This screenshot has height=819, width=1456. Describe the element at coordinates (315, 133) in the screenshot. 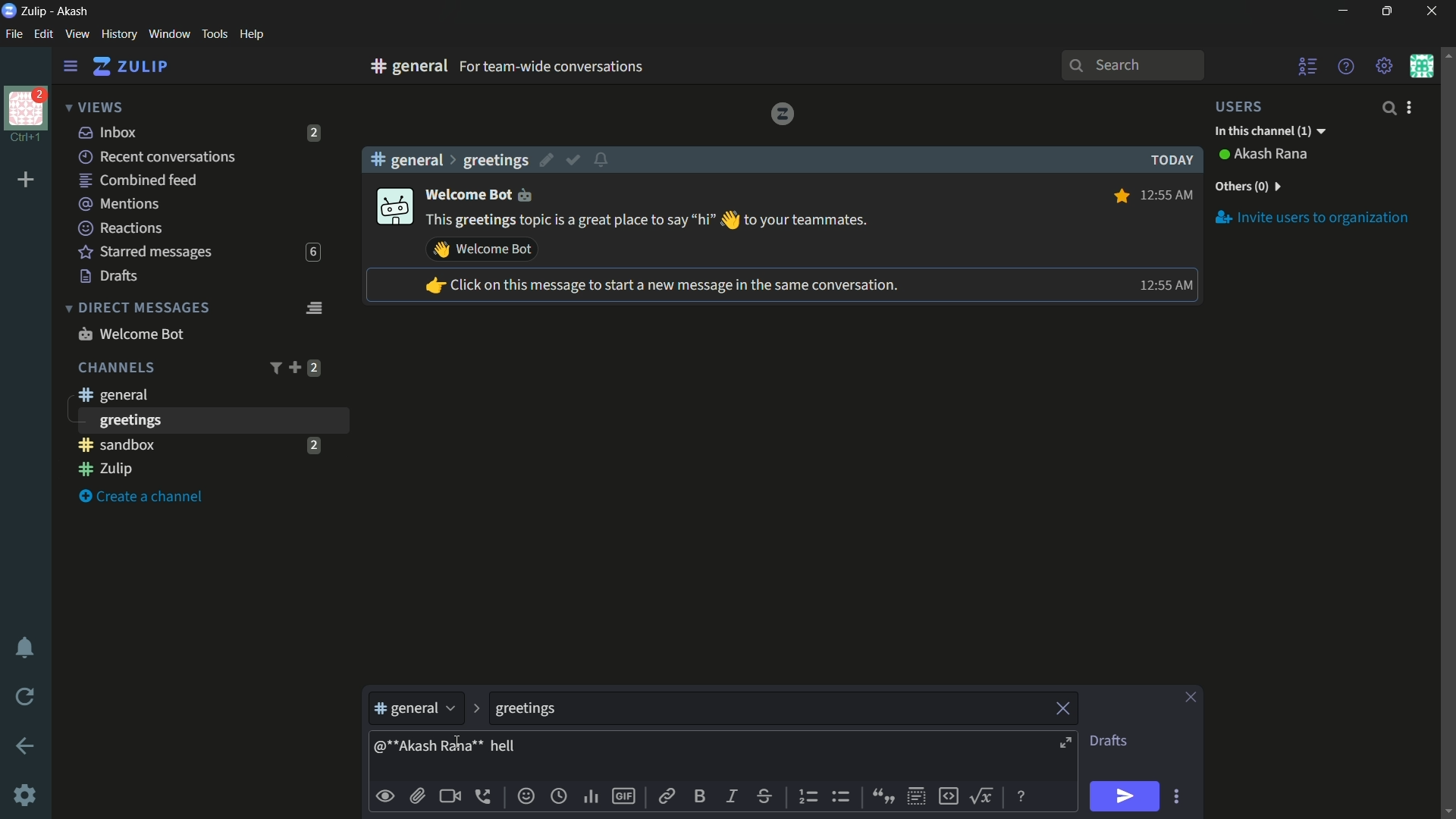

I see `2 unread messages` at that location.